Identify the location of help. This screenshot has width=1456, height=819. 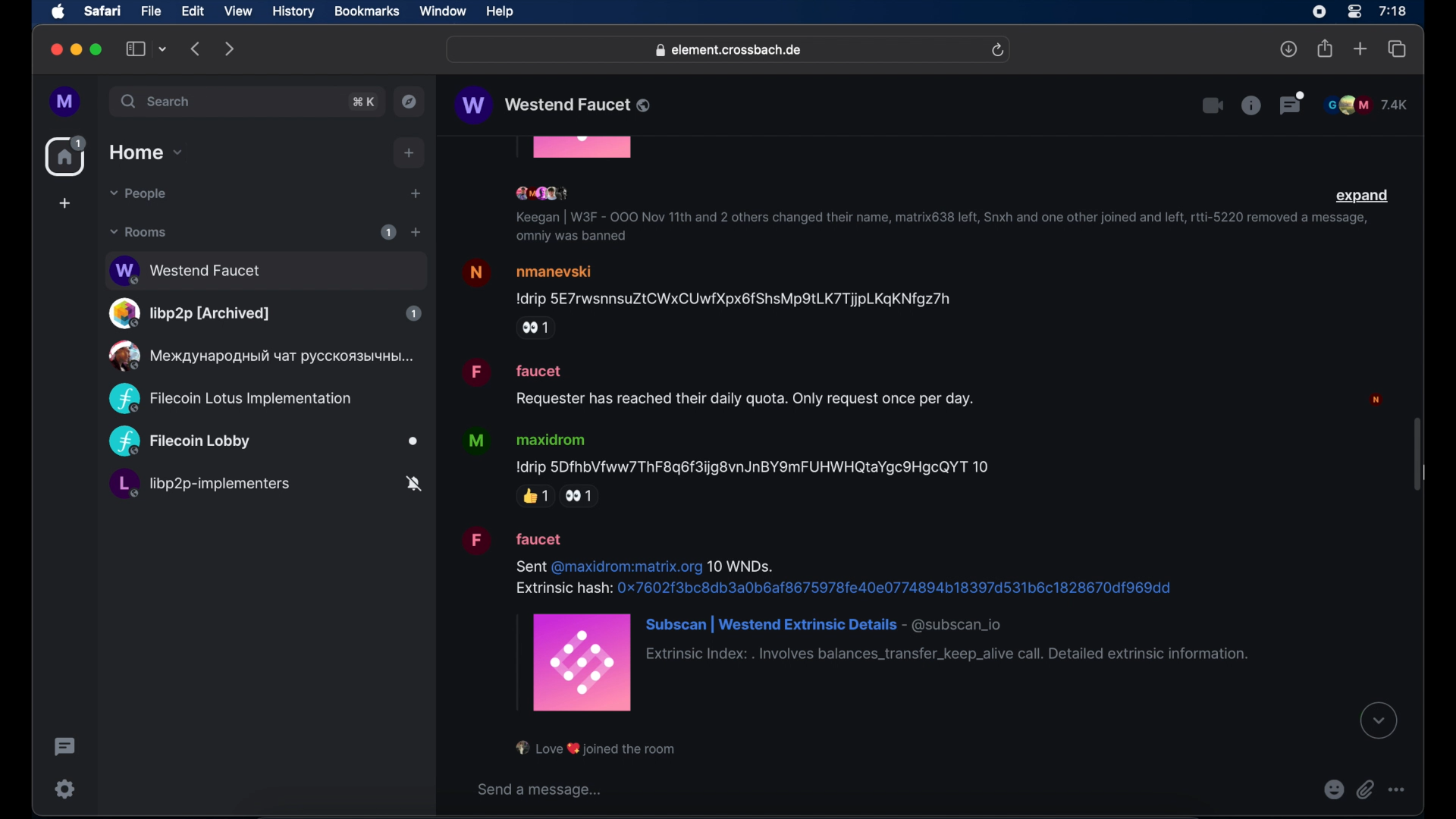
(500, 12).